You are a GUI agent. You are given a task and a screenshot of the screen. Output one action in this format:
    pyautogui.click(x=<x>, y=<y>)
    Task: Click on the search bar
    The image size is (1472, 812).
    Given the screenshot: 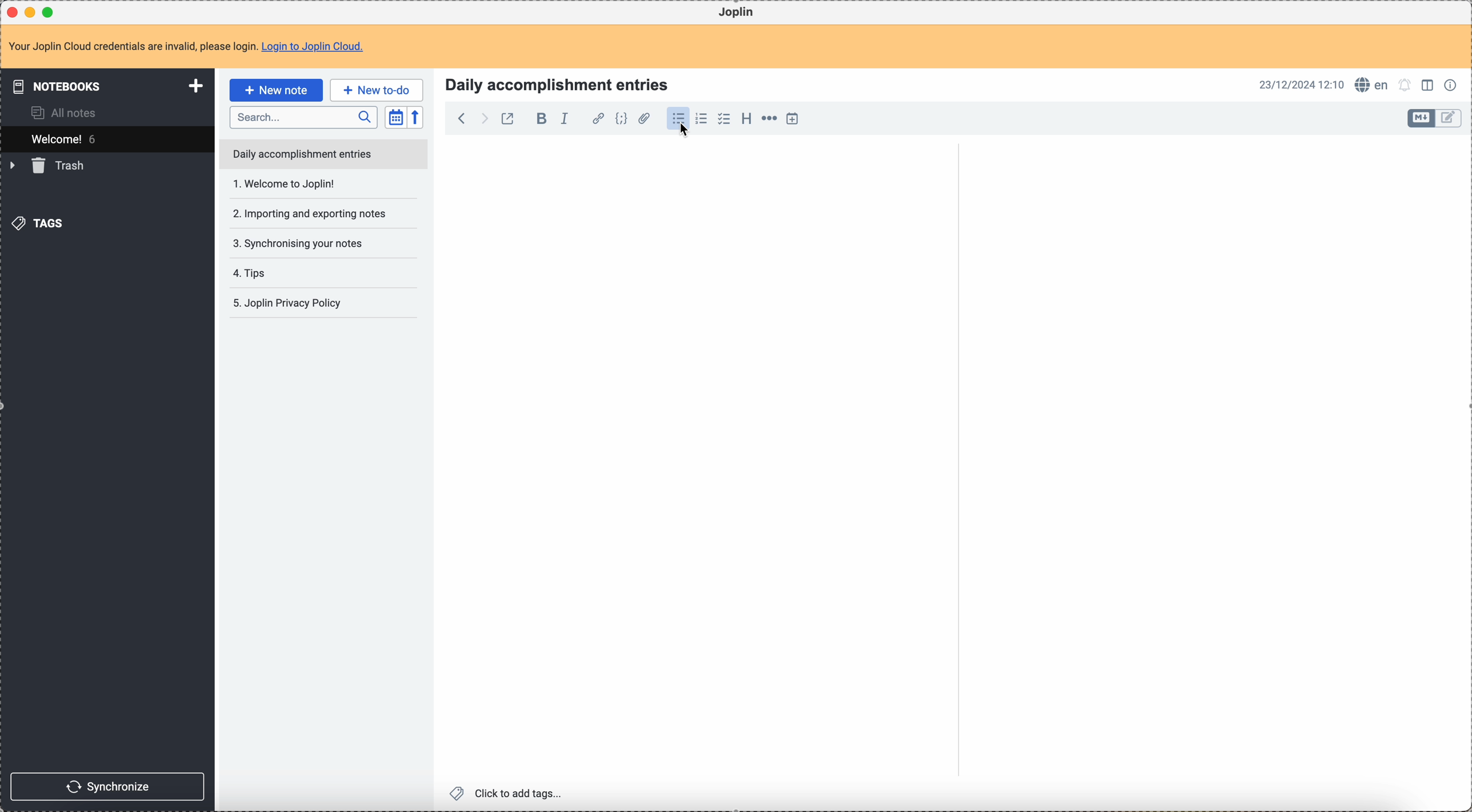 What is the action you would take?
    pyautogui.click(x=303, y=116)
    